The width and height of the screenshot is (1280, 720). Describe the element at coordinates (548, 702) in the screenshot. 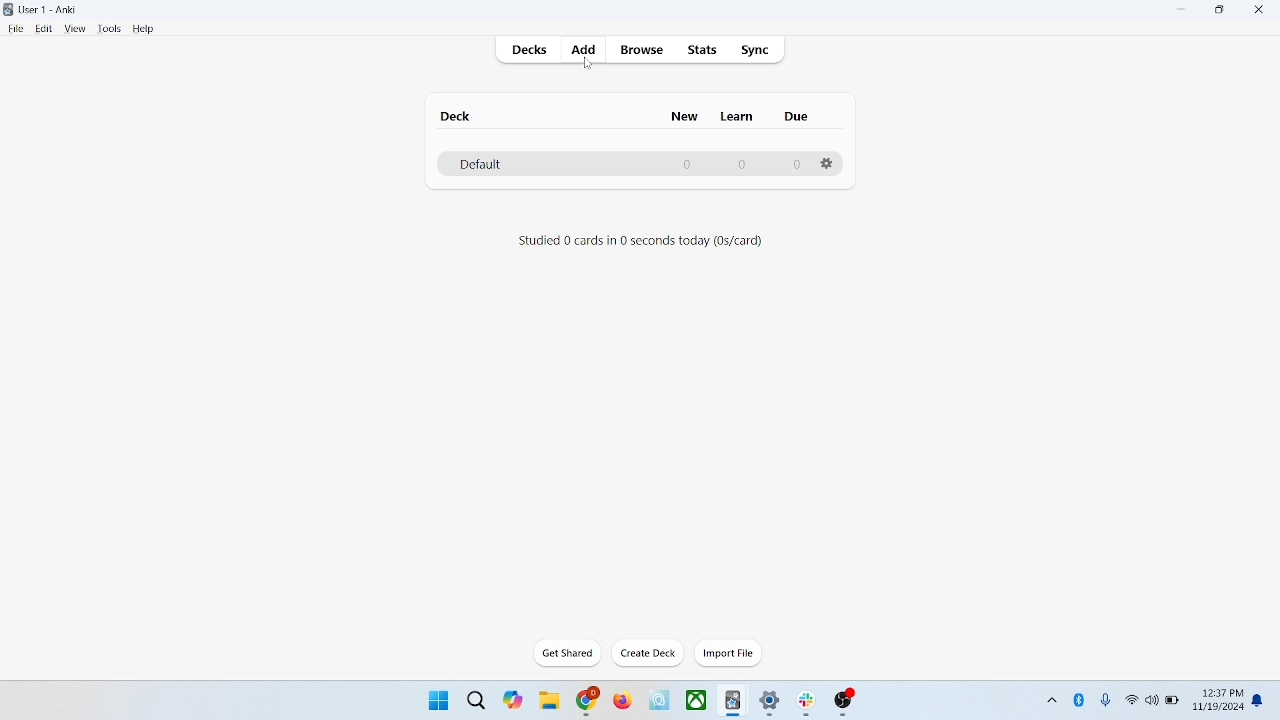

I see `folder` at that location.